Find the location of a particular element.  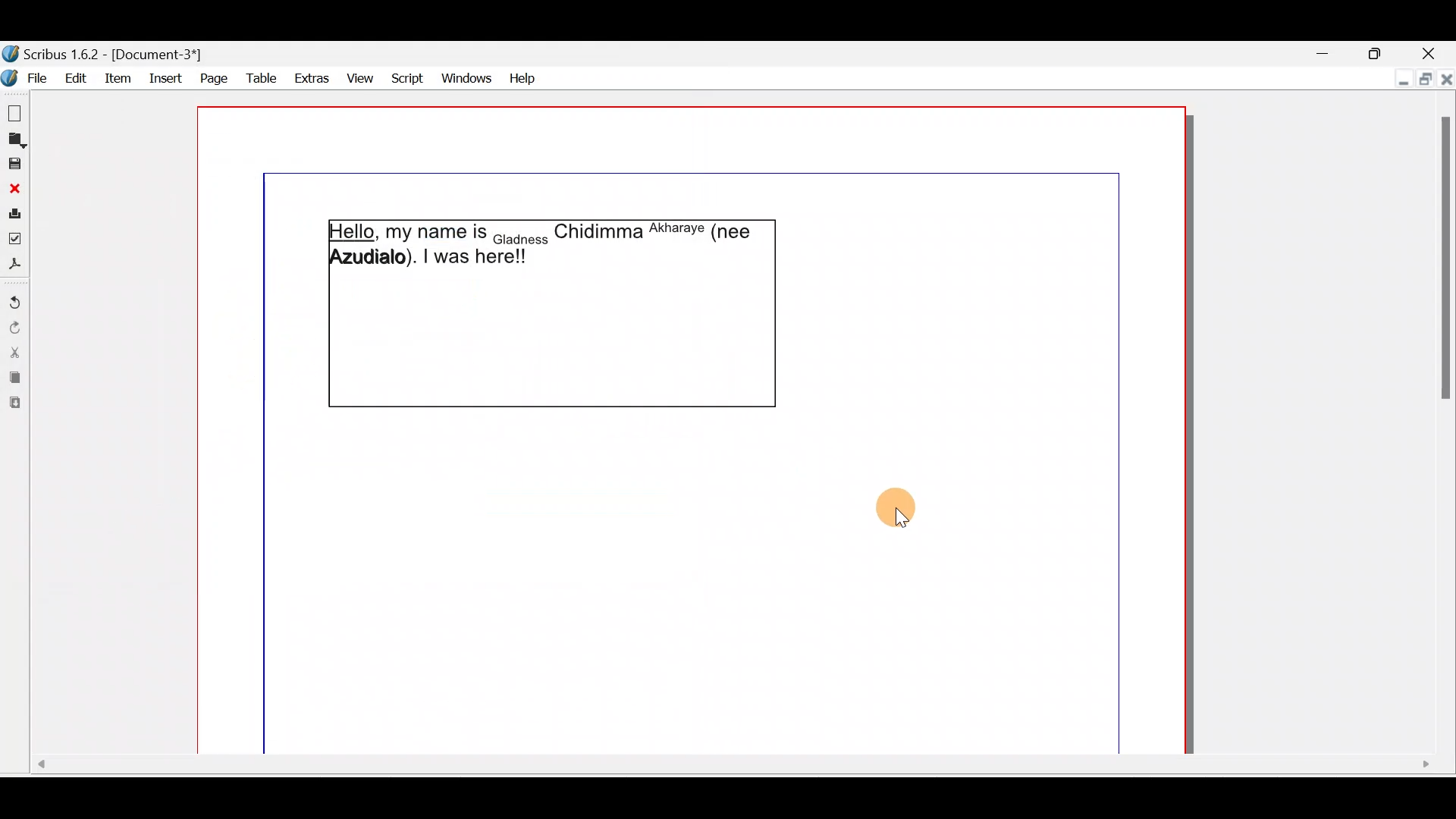

Table is located at coordinates (263, 79).